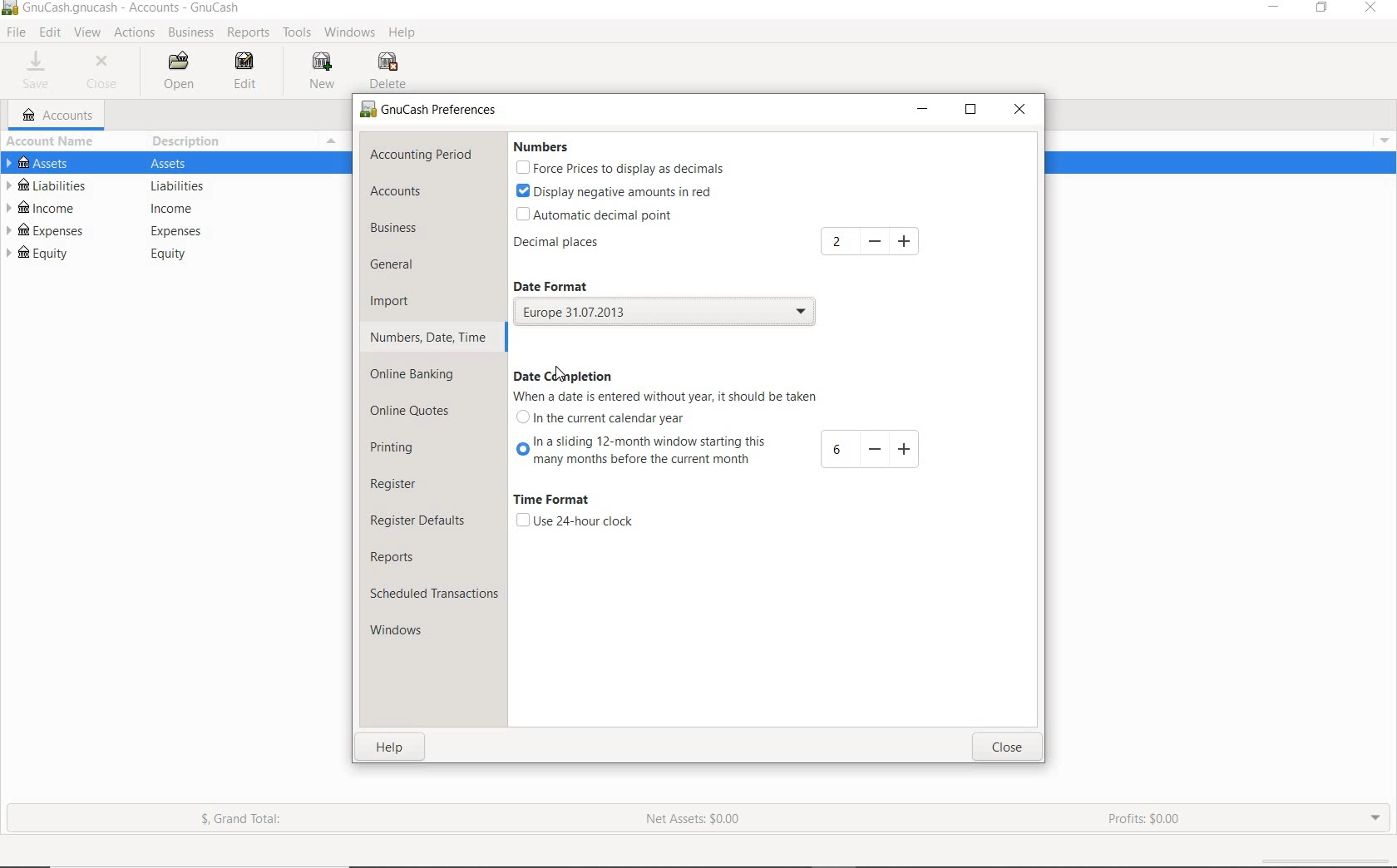  Describe the element at coordinates (325, 71) in the screenshot. I see `NEW` at that location.